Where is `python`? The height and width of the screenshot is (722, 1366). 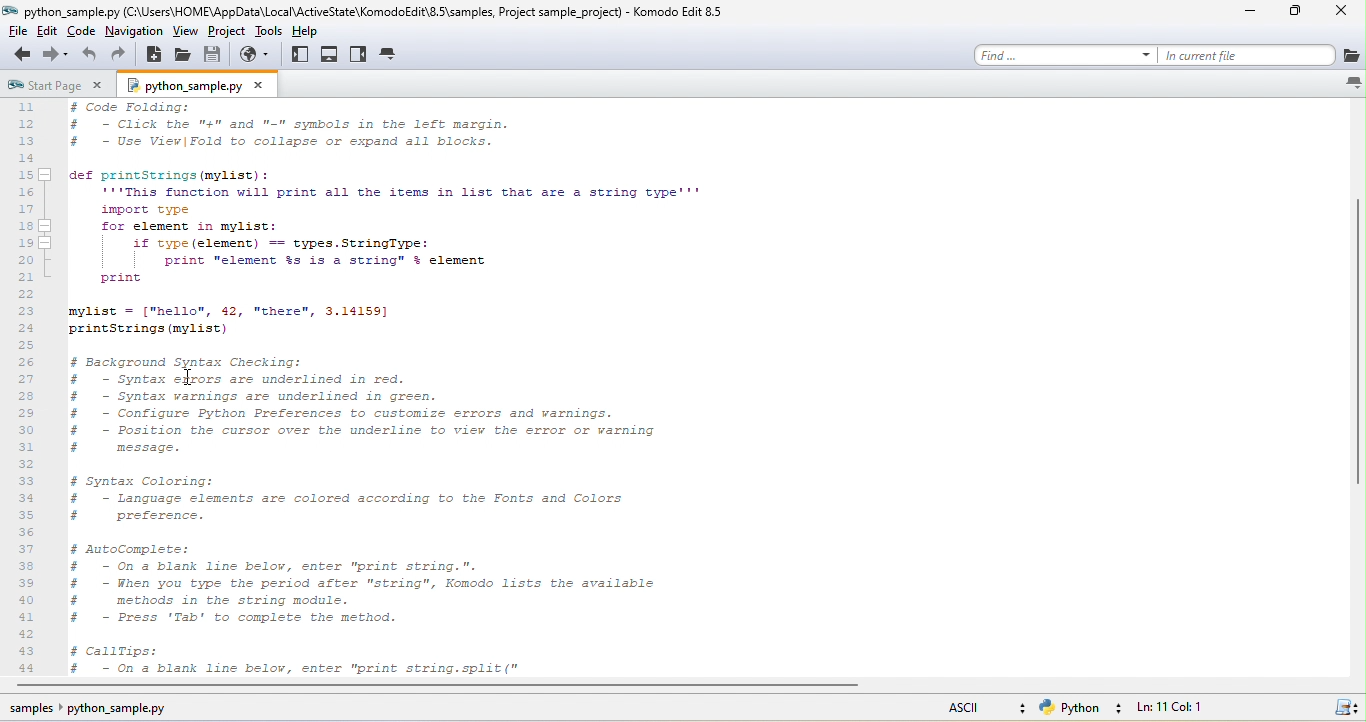
python is located at coordinates (1082, 709).